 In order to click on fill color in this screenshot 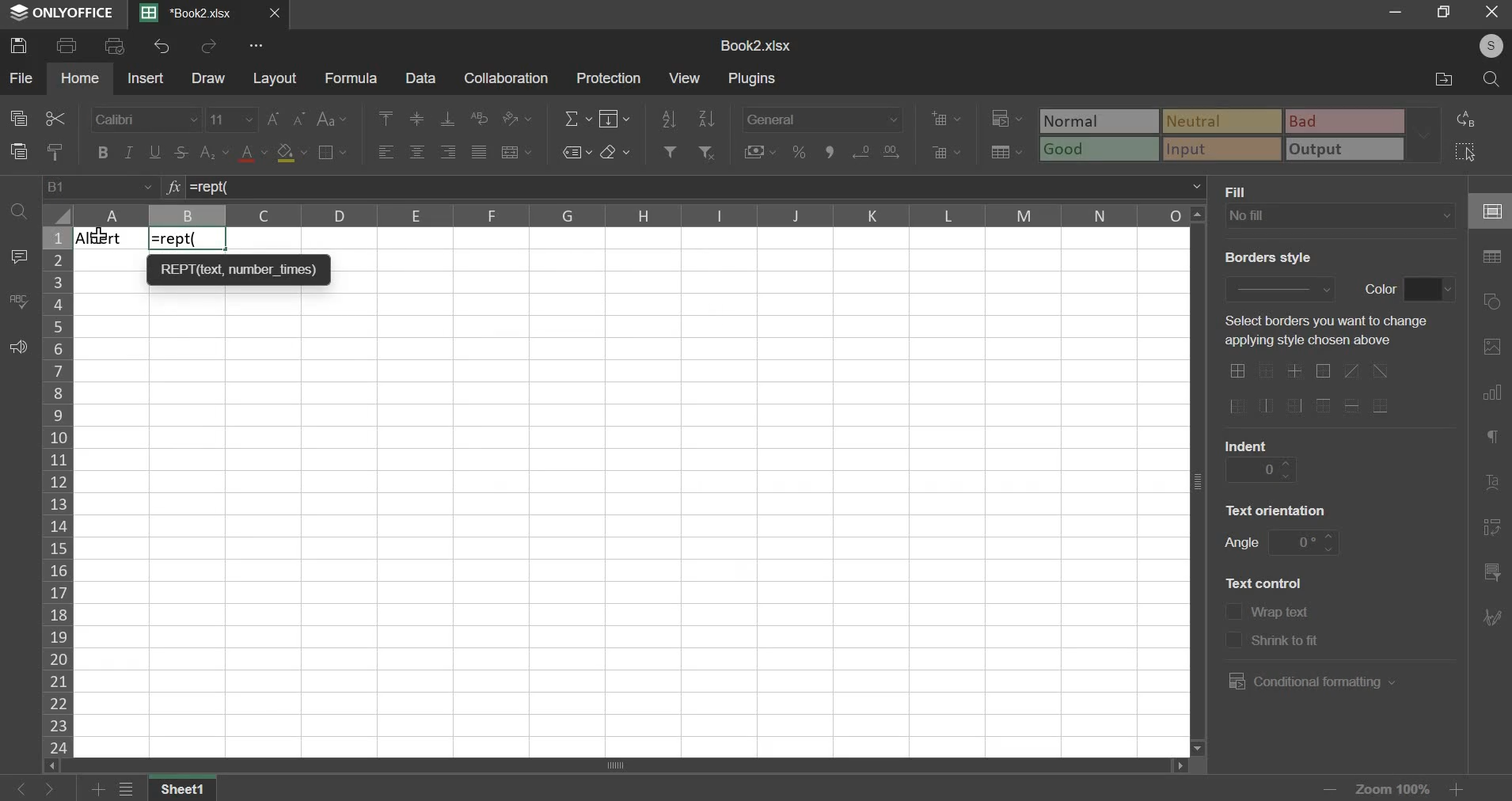, I will do `click(292, 153)`.